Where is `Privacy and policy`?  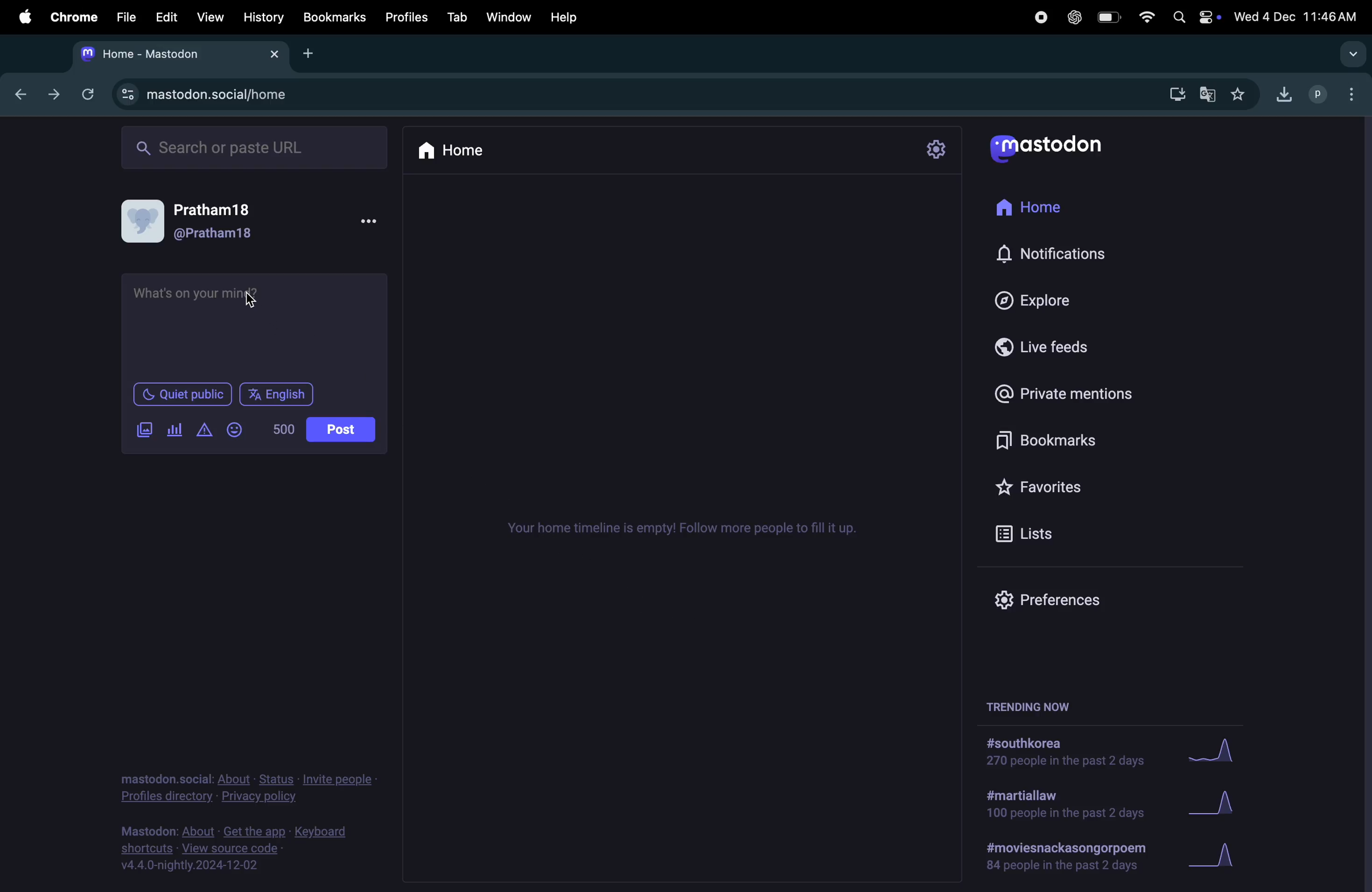 Privacy and policy is located at coordinates (248, 786).